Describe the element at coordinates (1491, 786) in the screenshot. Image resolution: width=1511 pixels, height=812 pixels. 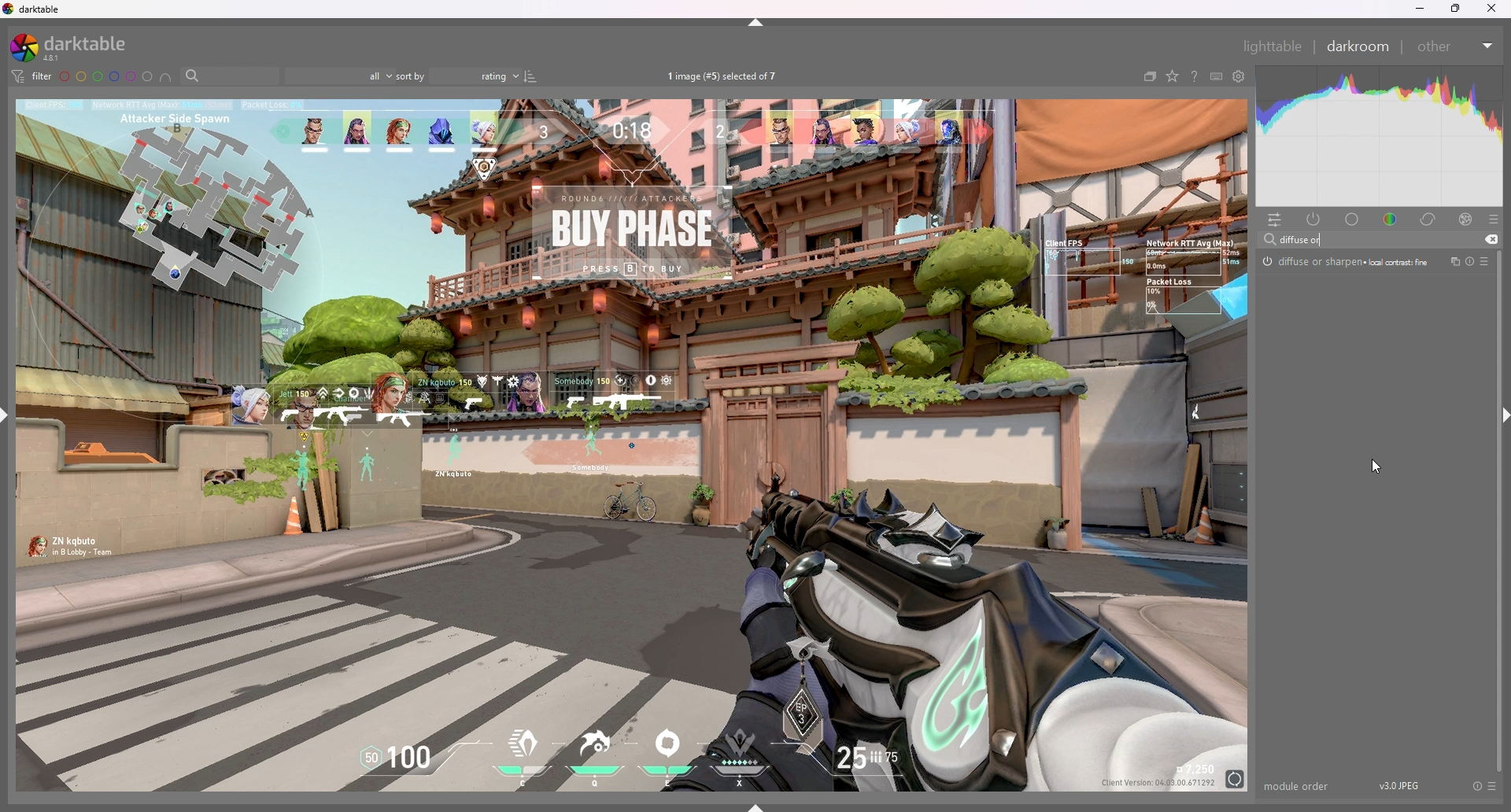
I see `presets` at that location.